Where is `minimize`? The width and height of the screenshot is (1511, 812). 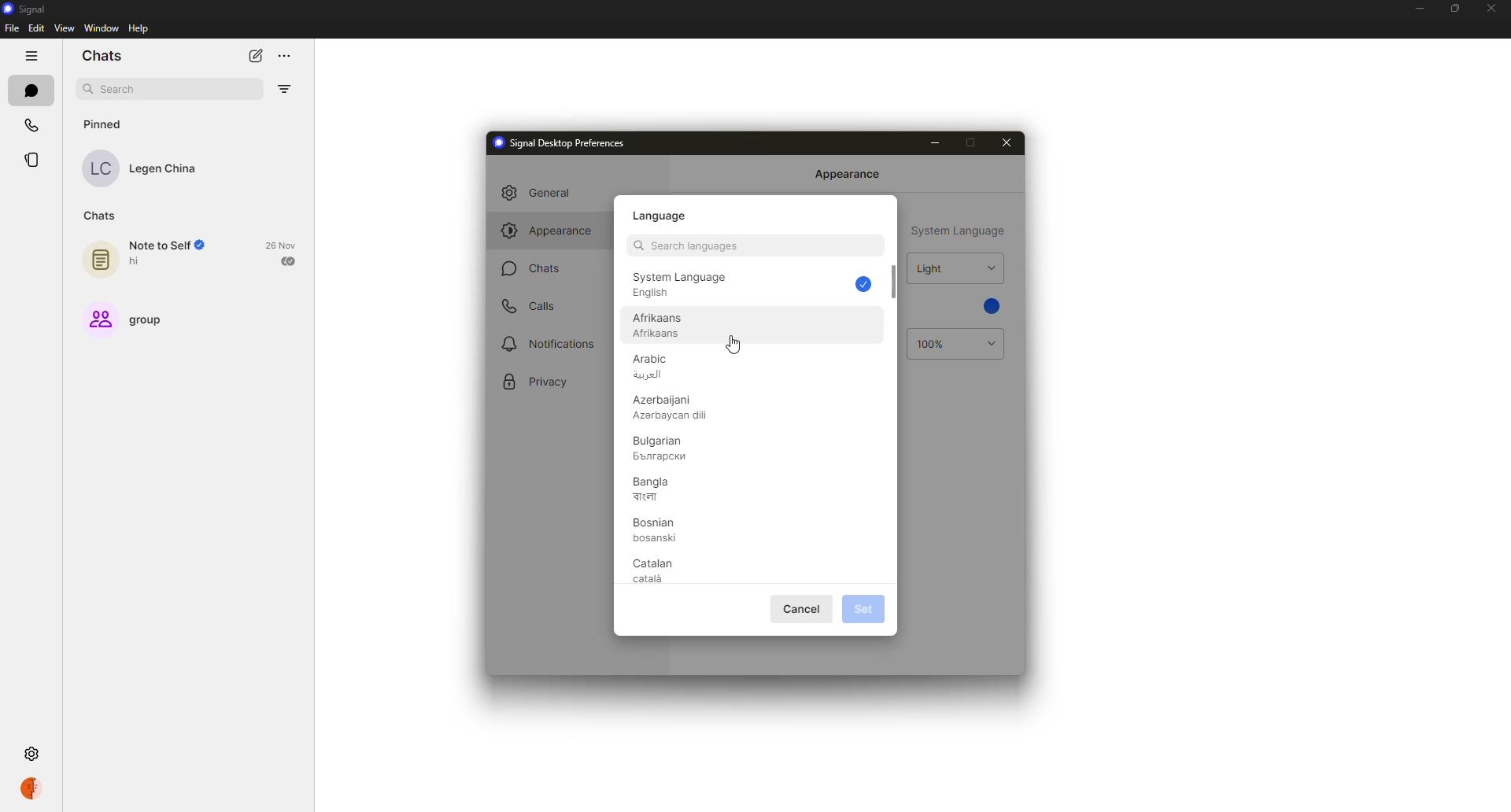
minimize is located at coordinates (1417, 9).